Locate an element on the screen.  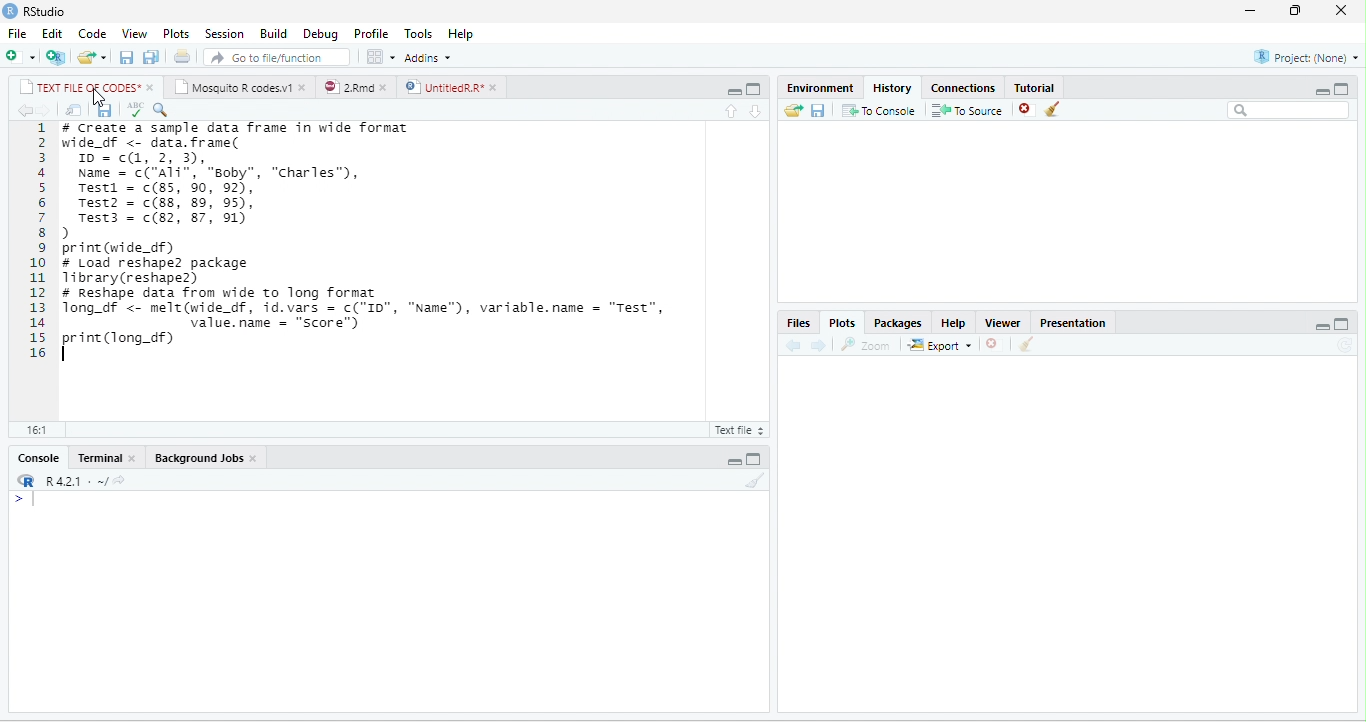
# Load reshape2 package Library(reshape2) is located at coordinates (170, 271).